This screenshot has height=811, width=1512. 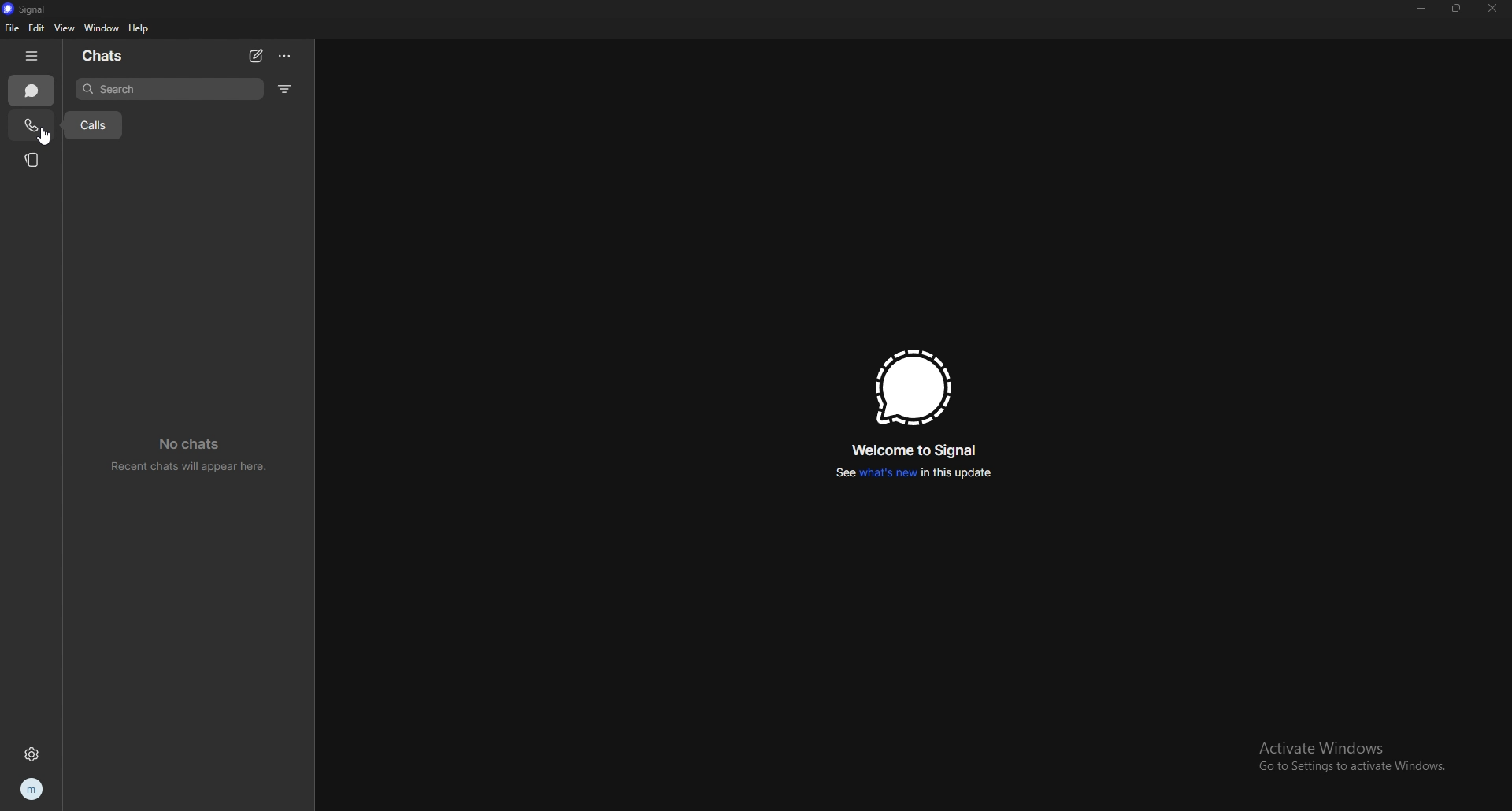 What do you see at coordinates (102, 28) in the screenshot?
I see `window` at bounding box center [102, 28].